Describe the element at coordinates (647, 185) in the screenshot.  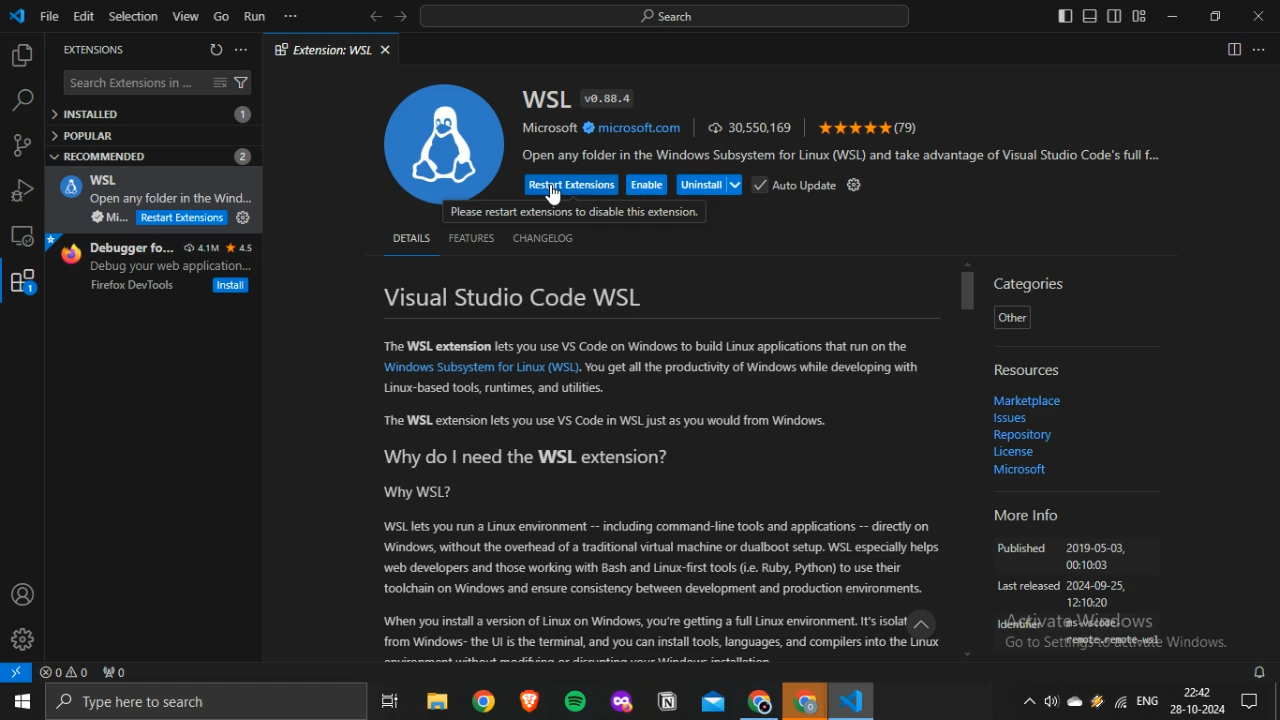
I see `Enable` at that location.